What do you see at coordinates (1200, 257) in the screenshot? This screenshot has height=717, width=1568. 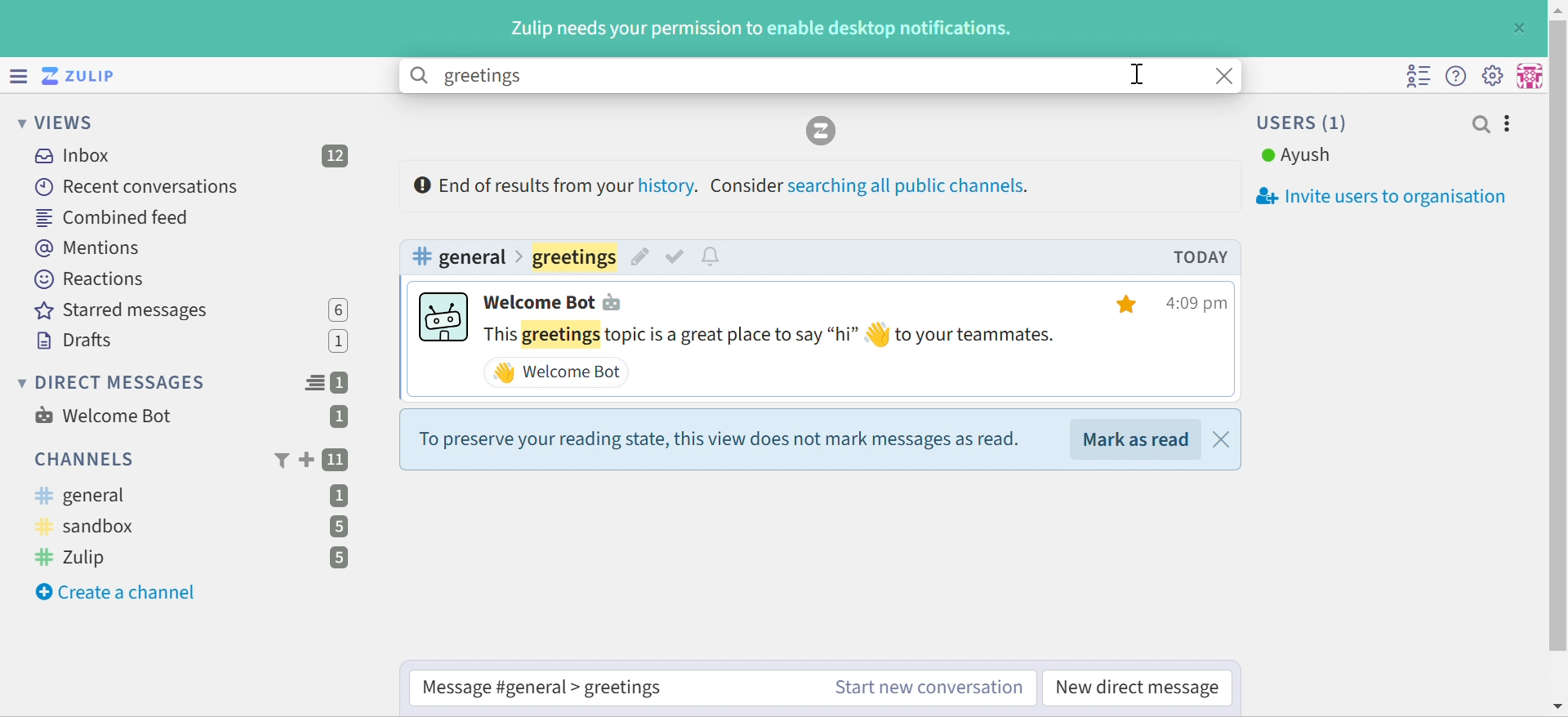 I see `Today` at bounding box center [1200, 257].